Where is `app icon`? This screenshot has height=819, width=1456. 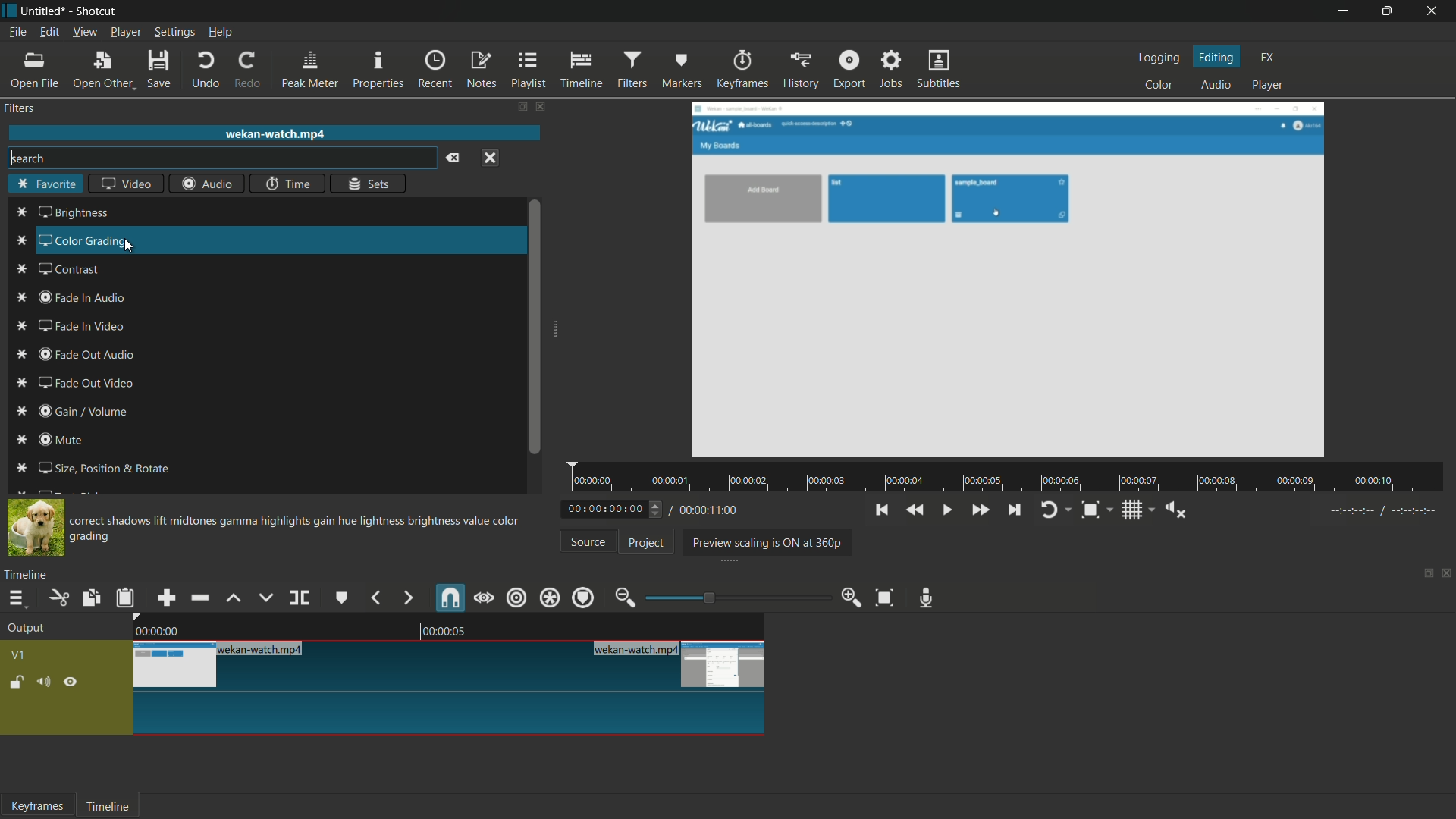
app icon is located at coordinates (9, 11).